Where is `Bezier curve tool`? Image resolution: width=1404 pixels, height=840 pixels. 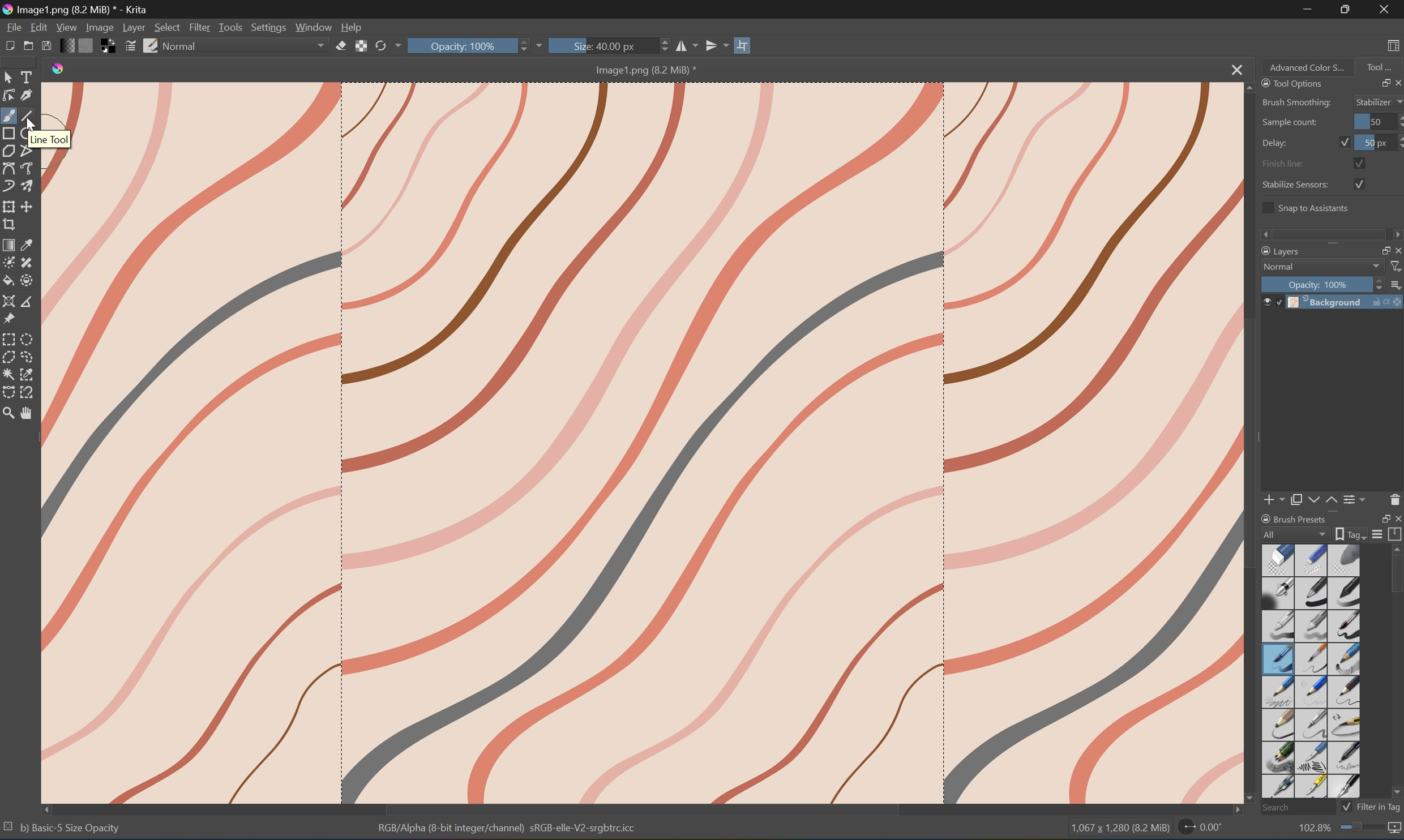
Bezier curve tool is located at coordinates (9, 168).